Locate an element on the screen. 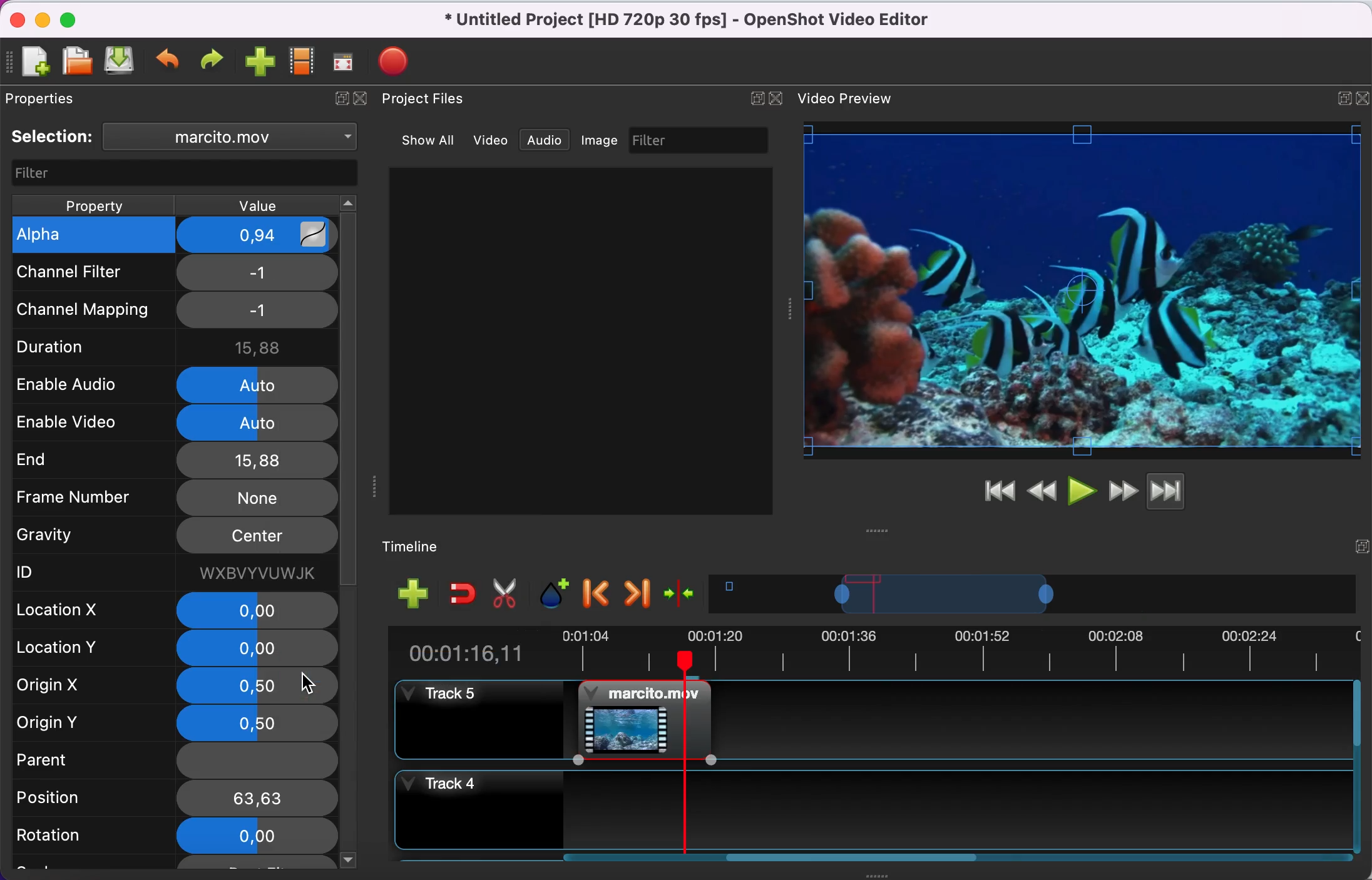  fast forward is located at coordinates (1122, 489).